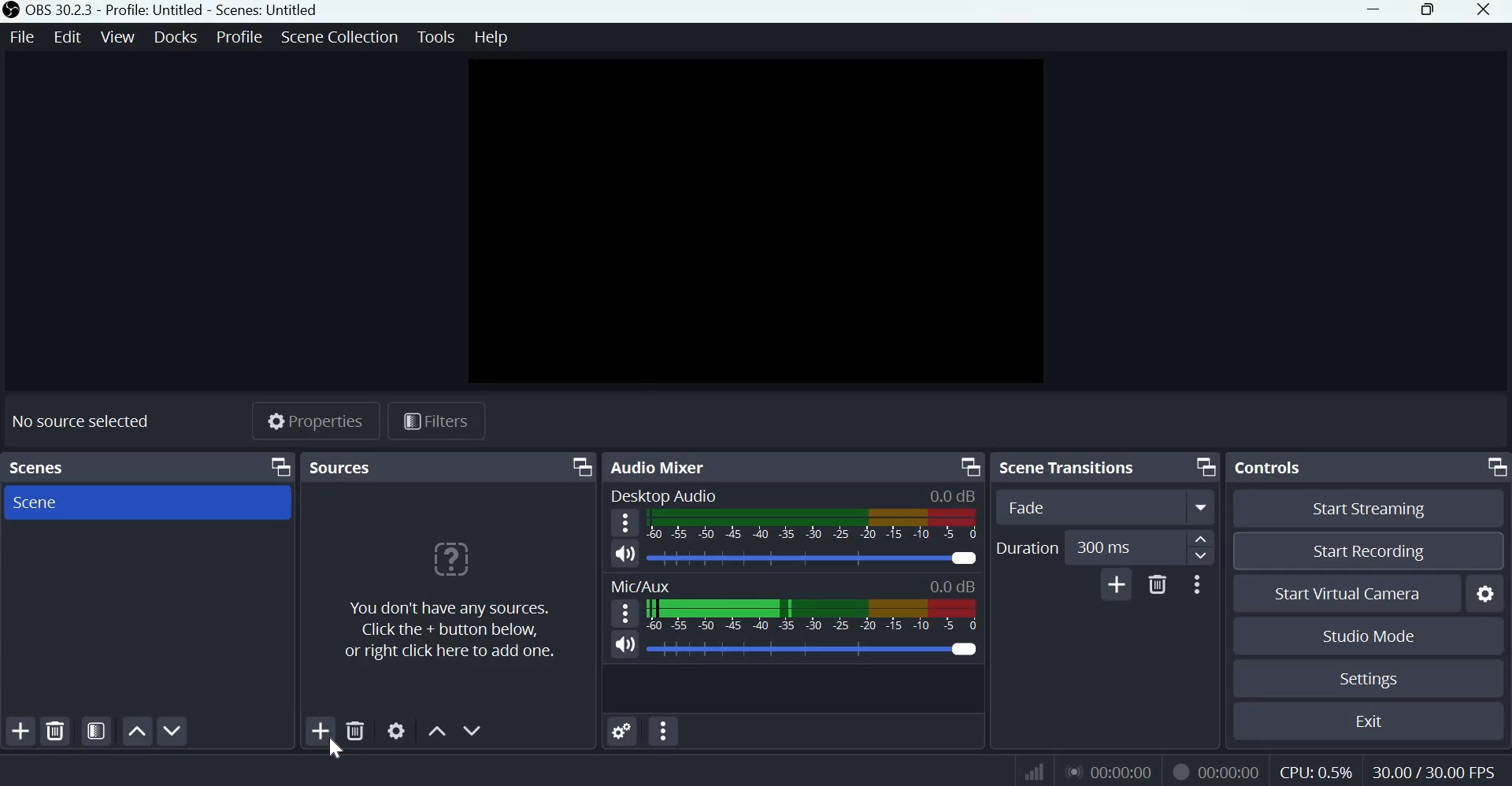  Describe the element at coordinates (335, 751) in the screenshot. I see `cursor` at that location.